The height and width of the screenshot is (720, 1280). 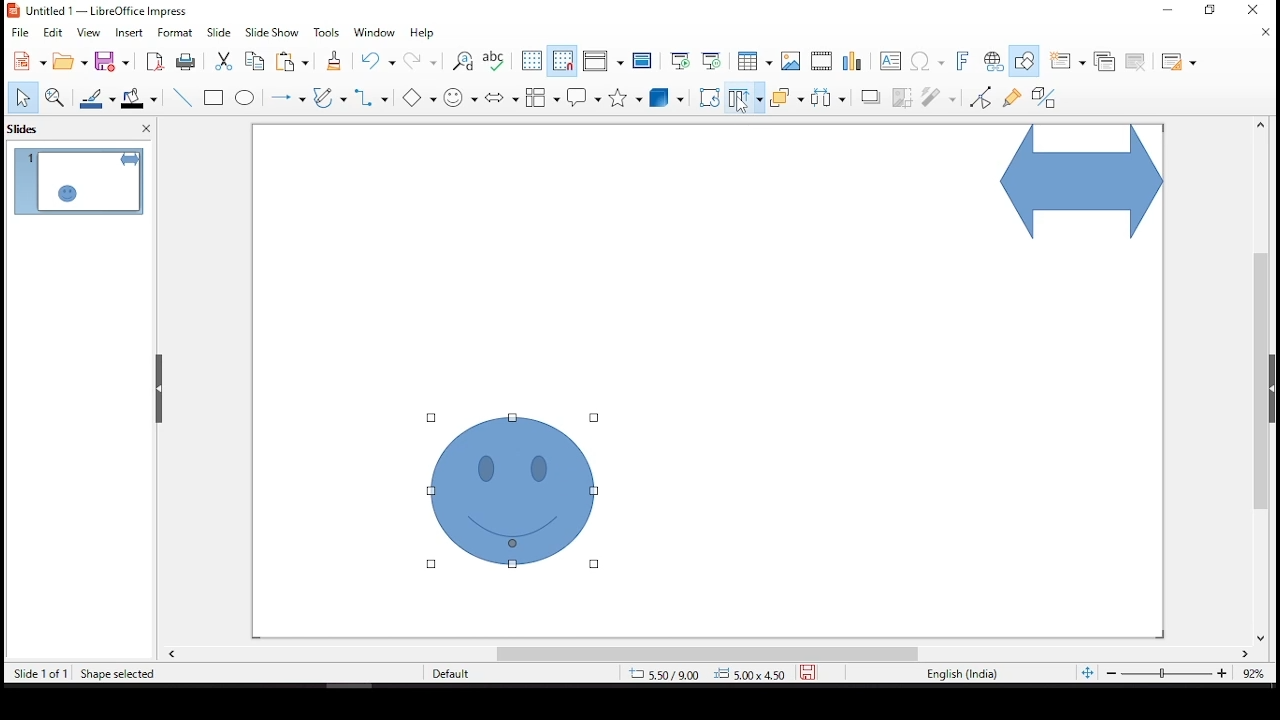 I want to click on rectangle, so click(x=216, y=99).